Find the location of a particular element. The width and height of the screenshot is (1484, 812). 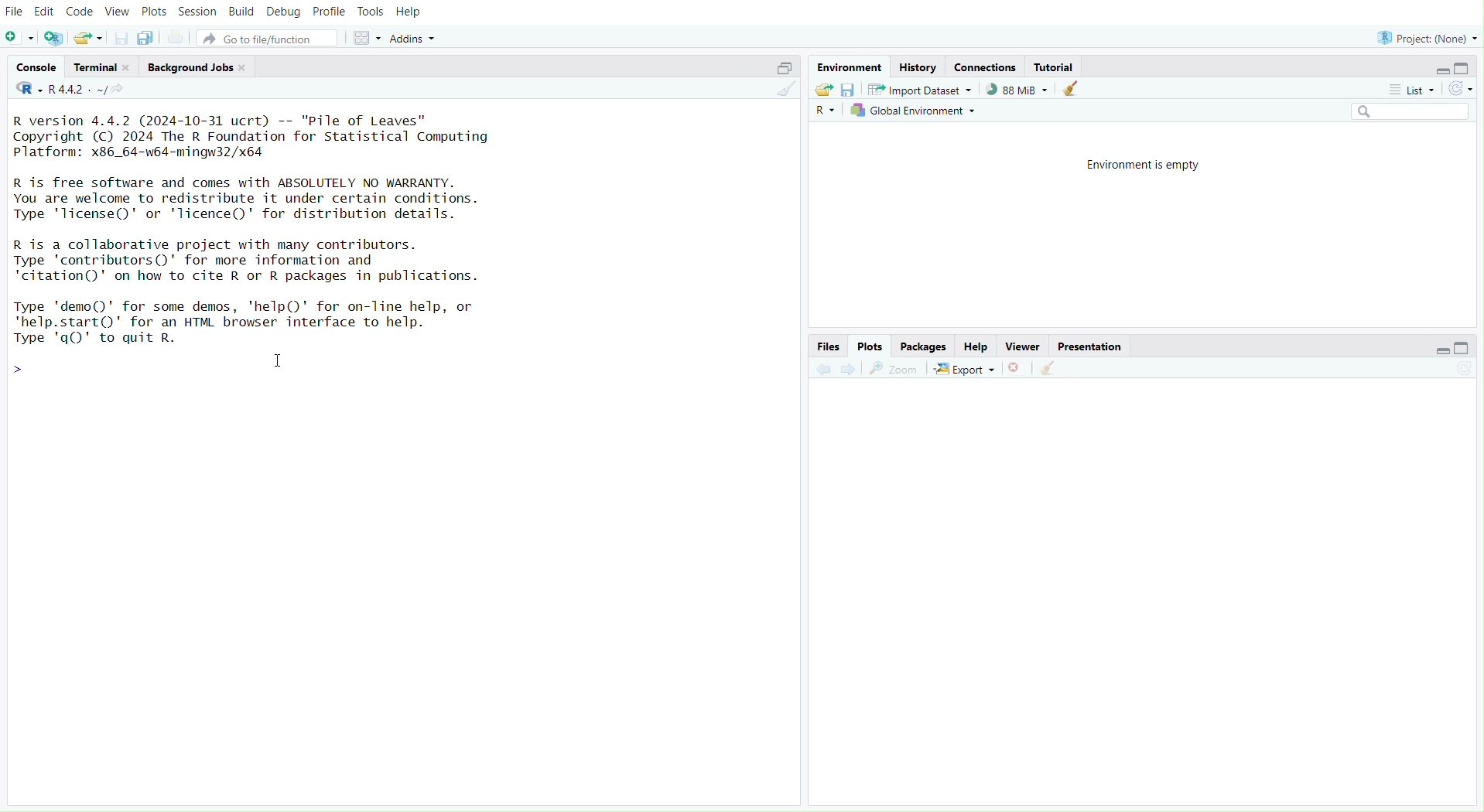

Viewer is located at coordinates (1022, 347).